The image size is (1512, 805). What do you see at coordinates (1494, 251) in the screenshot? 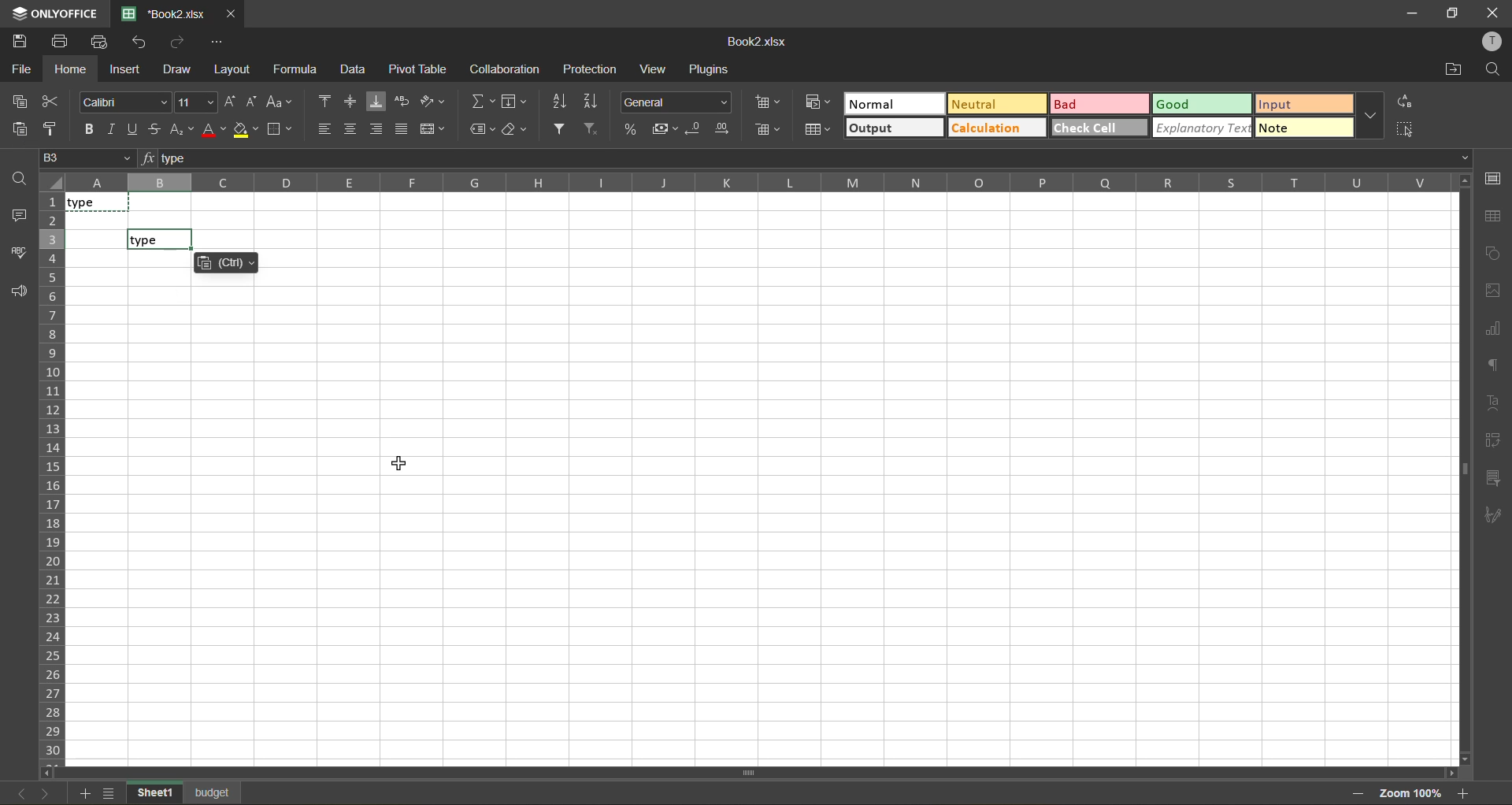
I see `shapes` at bounding box center [1494, 251].